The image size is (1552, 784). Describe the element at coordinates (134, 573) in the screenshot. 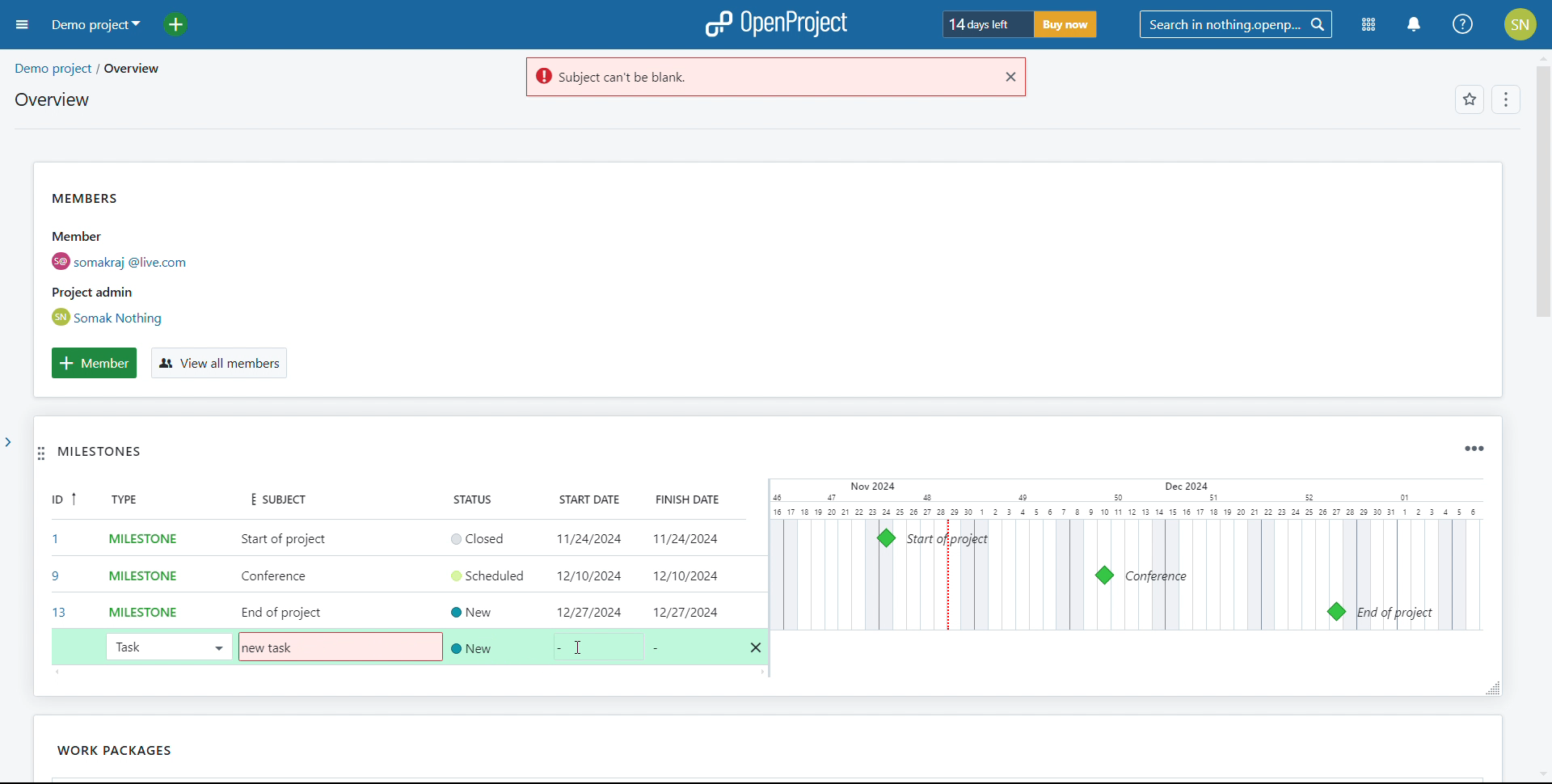

I see `set type` at that location.